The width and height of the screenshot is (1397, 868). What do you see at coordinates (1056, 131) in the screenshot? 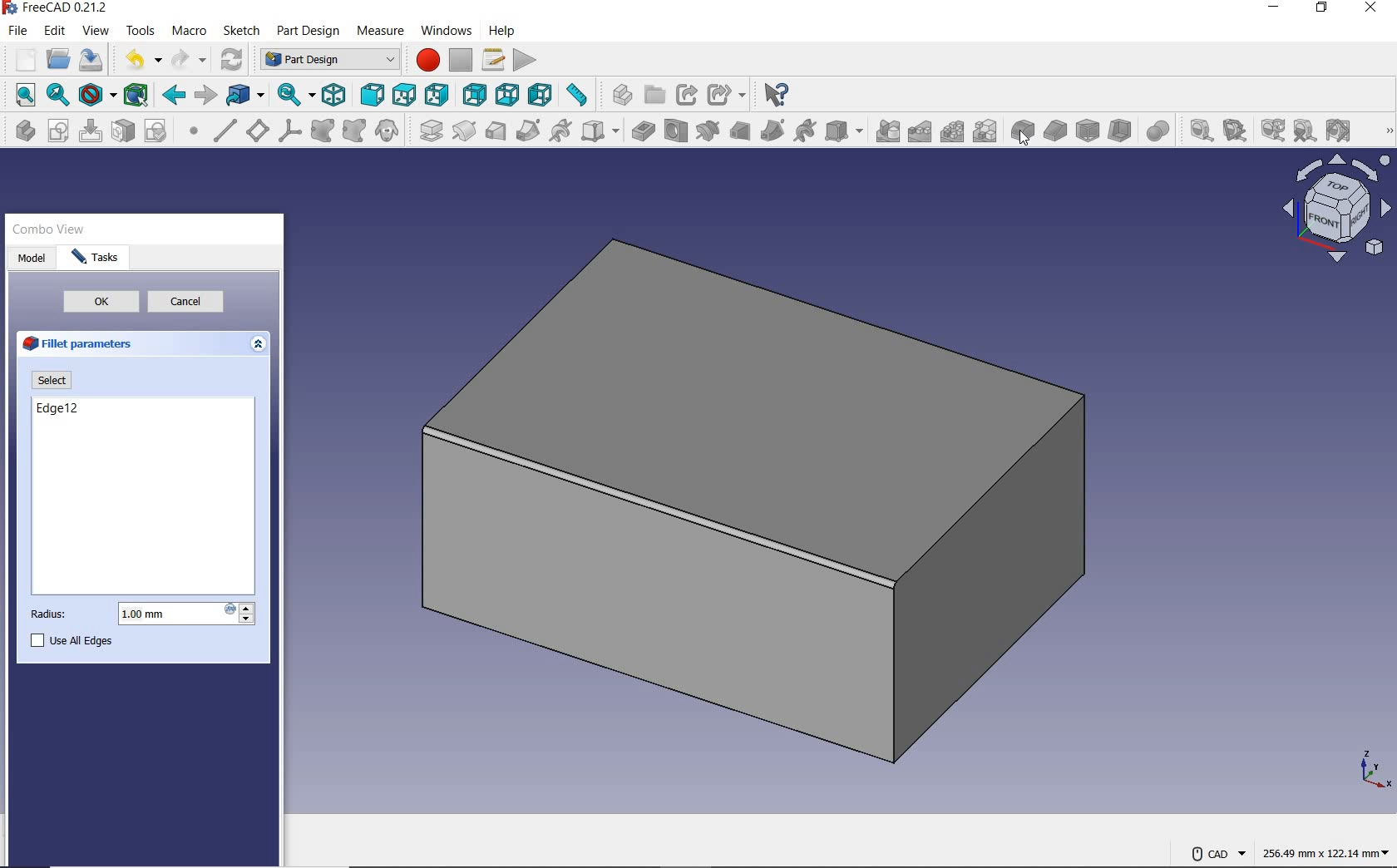
I see `chamfer` at bounding box center [1056, 131].